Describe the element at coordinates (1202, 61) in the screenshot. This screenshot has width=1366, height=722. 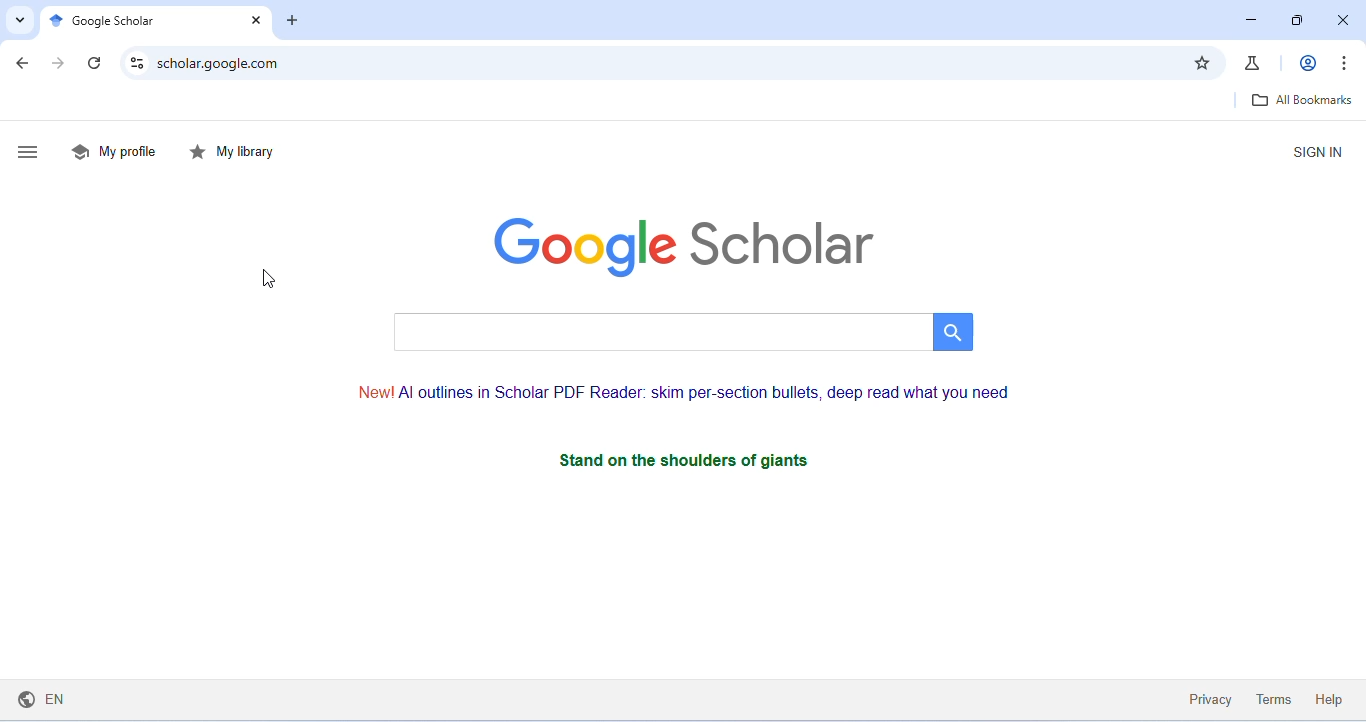
I see `add bookmark` at that location.